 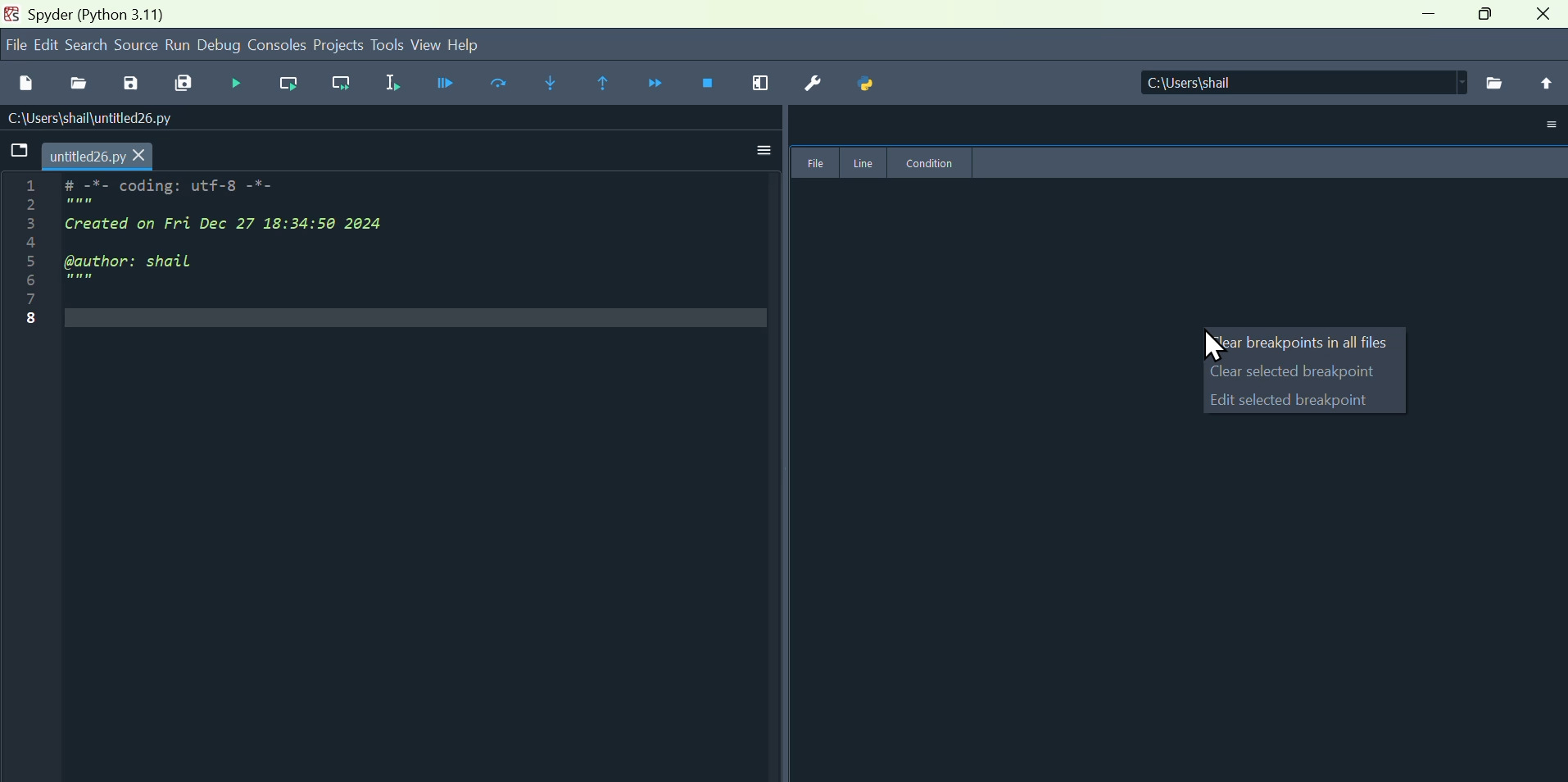 What do you see at coordinates (135, 85) in the screenshot?
I see `` at bounding box center [135, 85].